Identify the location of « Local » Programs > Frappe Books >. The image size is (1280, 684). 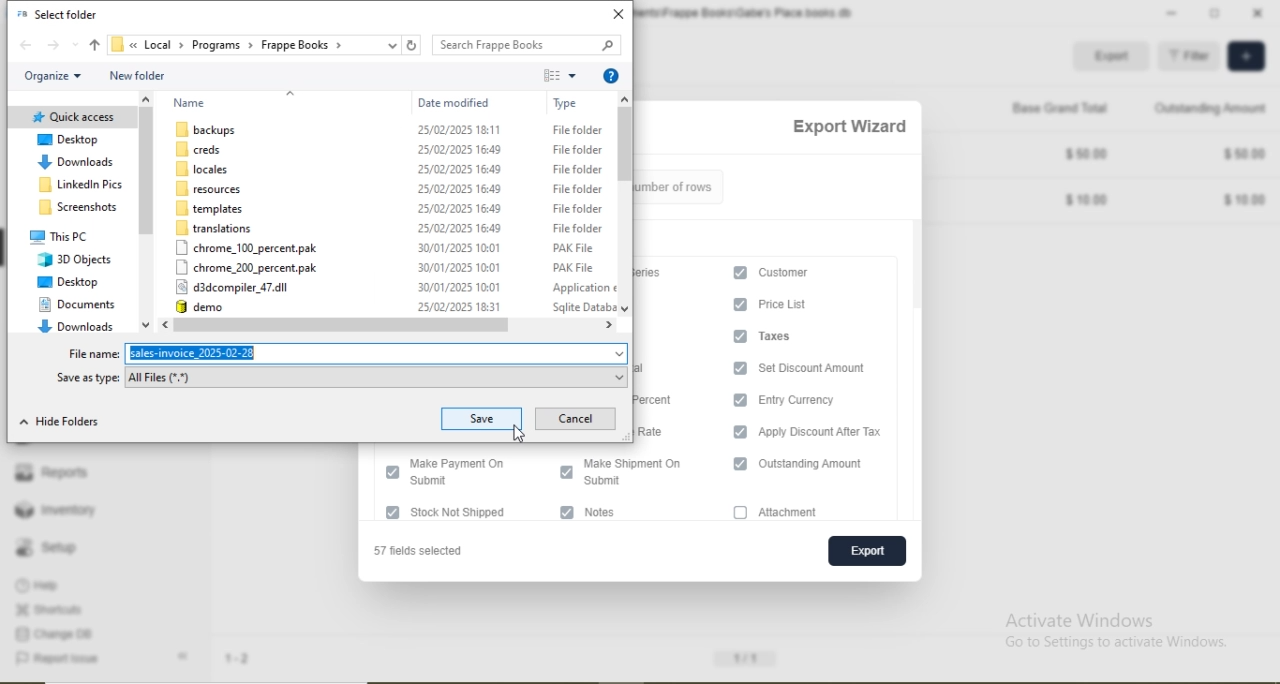
(226, 44).